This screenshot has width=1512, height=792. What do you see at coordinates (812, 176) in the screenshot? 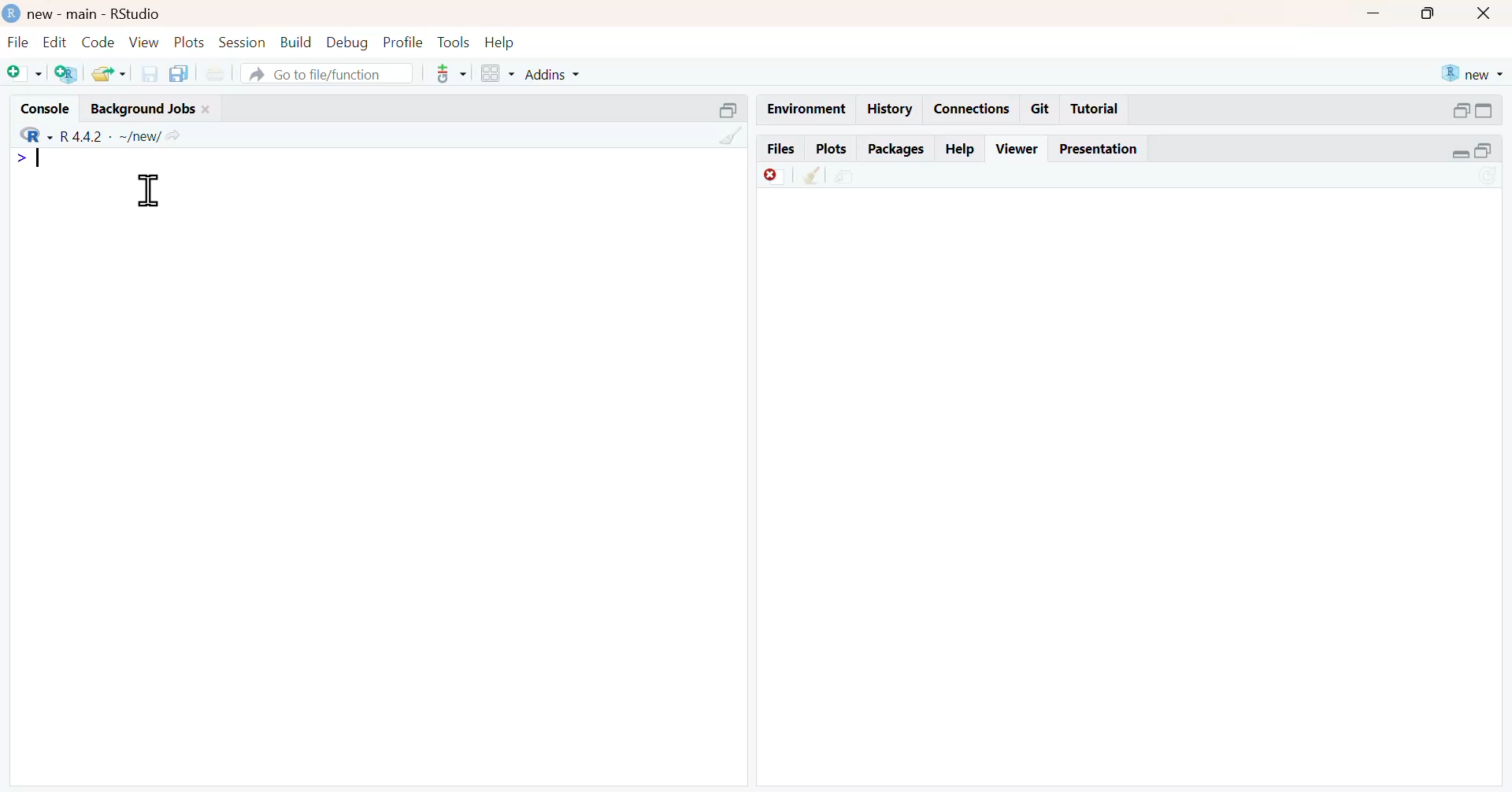
I see `clear all viewer items` at bounding box center [812, 176].